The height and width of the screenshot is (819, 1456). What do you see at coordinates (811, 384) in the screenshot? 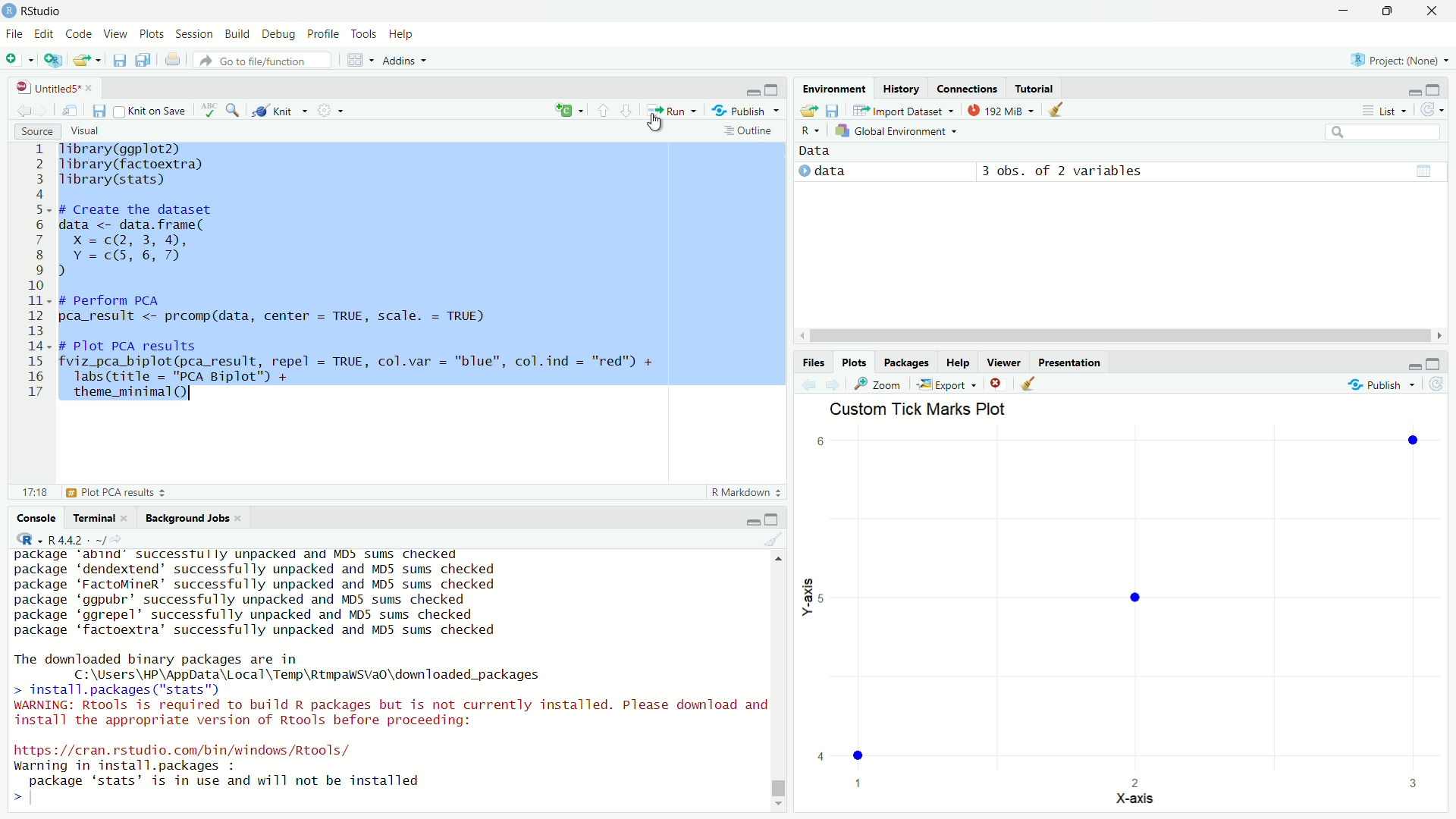
I see `go back` at bounding box center [811, 384].